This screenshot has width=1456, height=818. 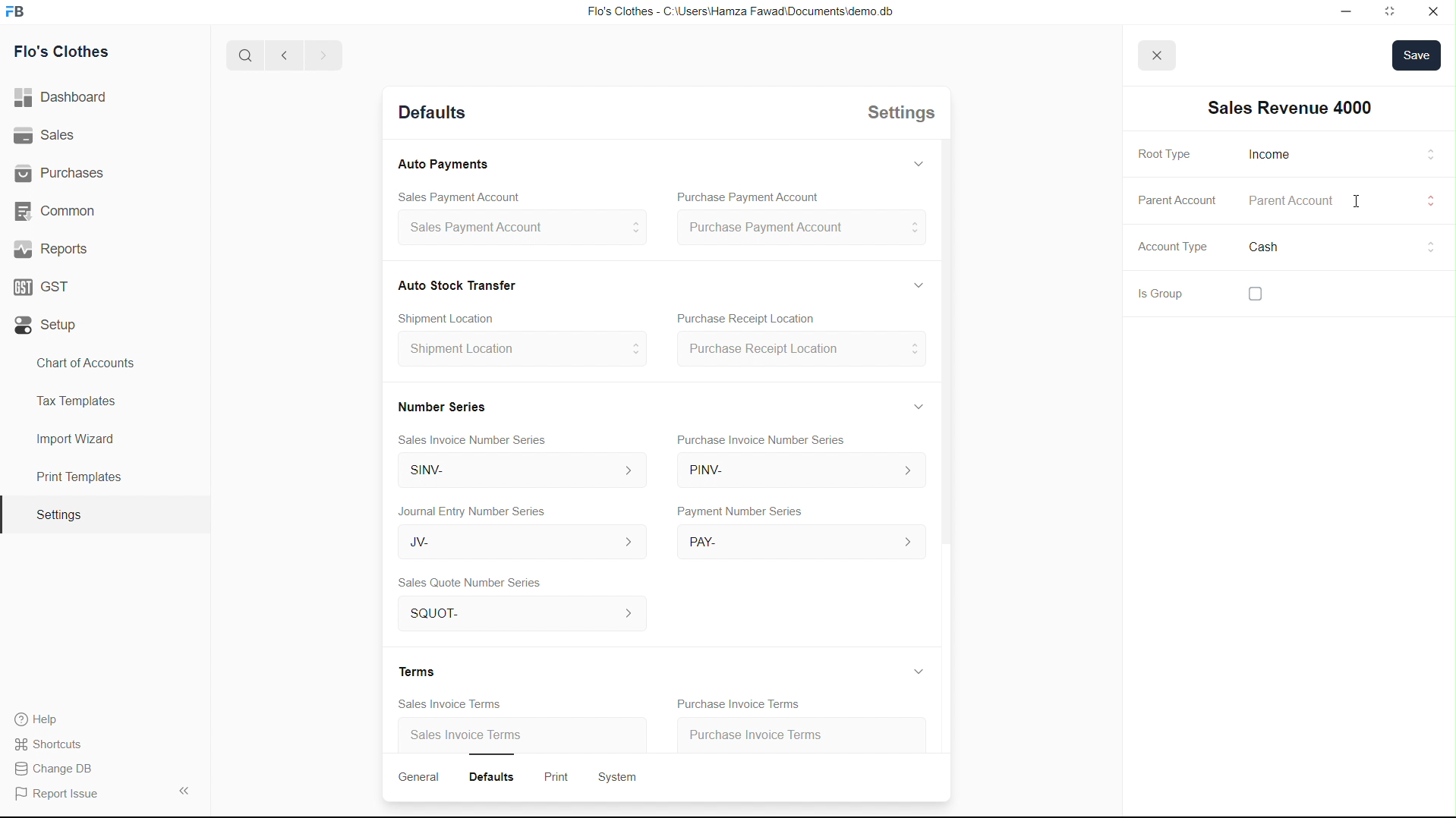 What do you see at coordinates (58, 515) in the screenshot?
I see `Settings` at bounding box center [58, 515].